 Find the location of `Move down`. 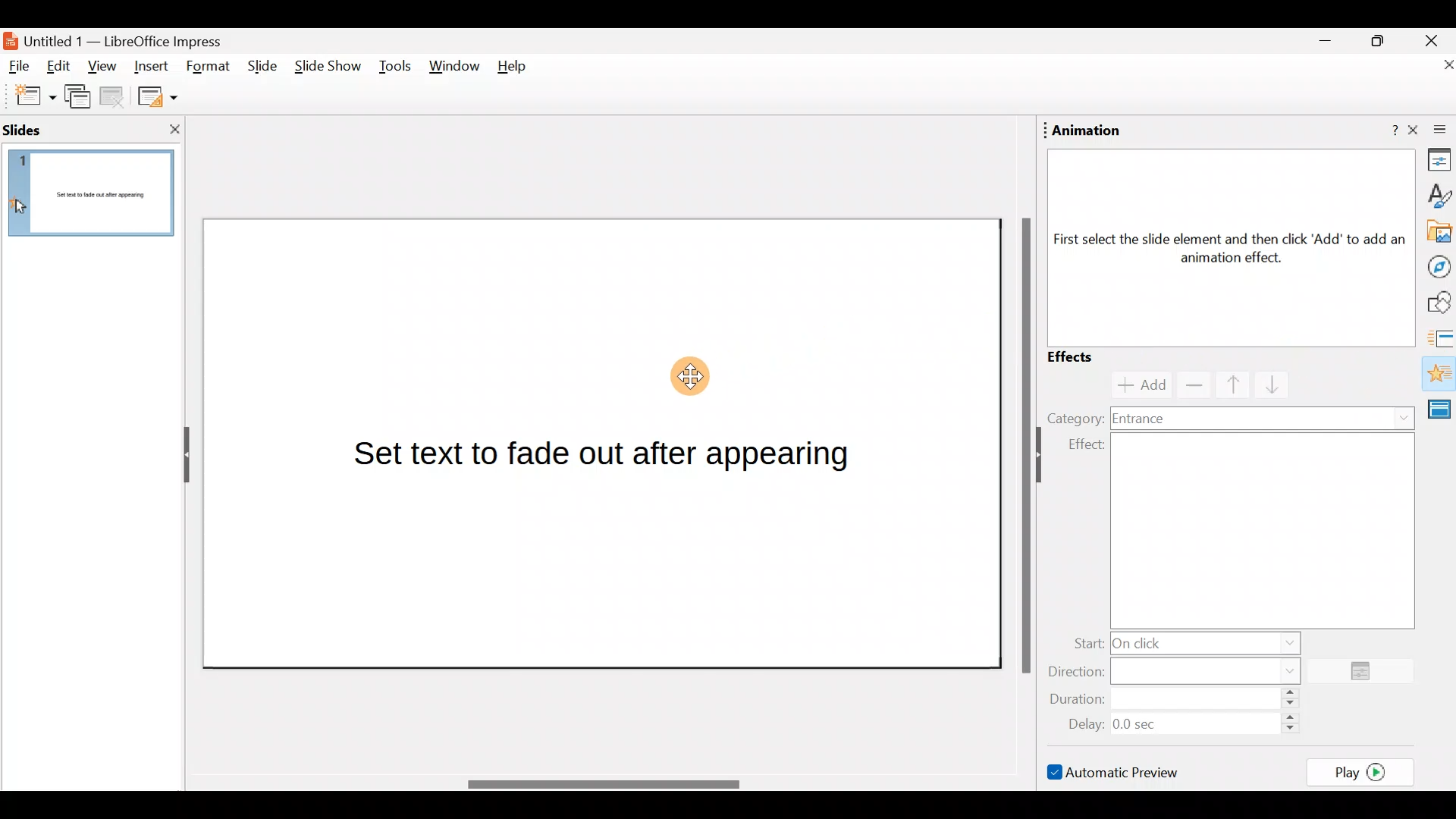

Move down is located at coordinates (1266, 385).